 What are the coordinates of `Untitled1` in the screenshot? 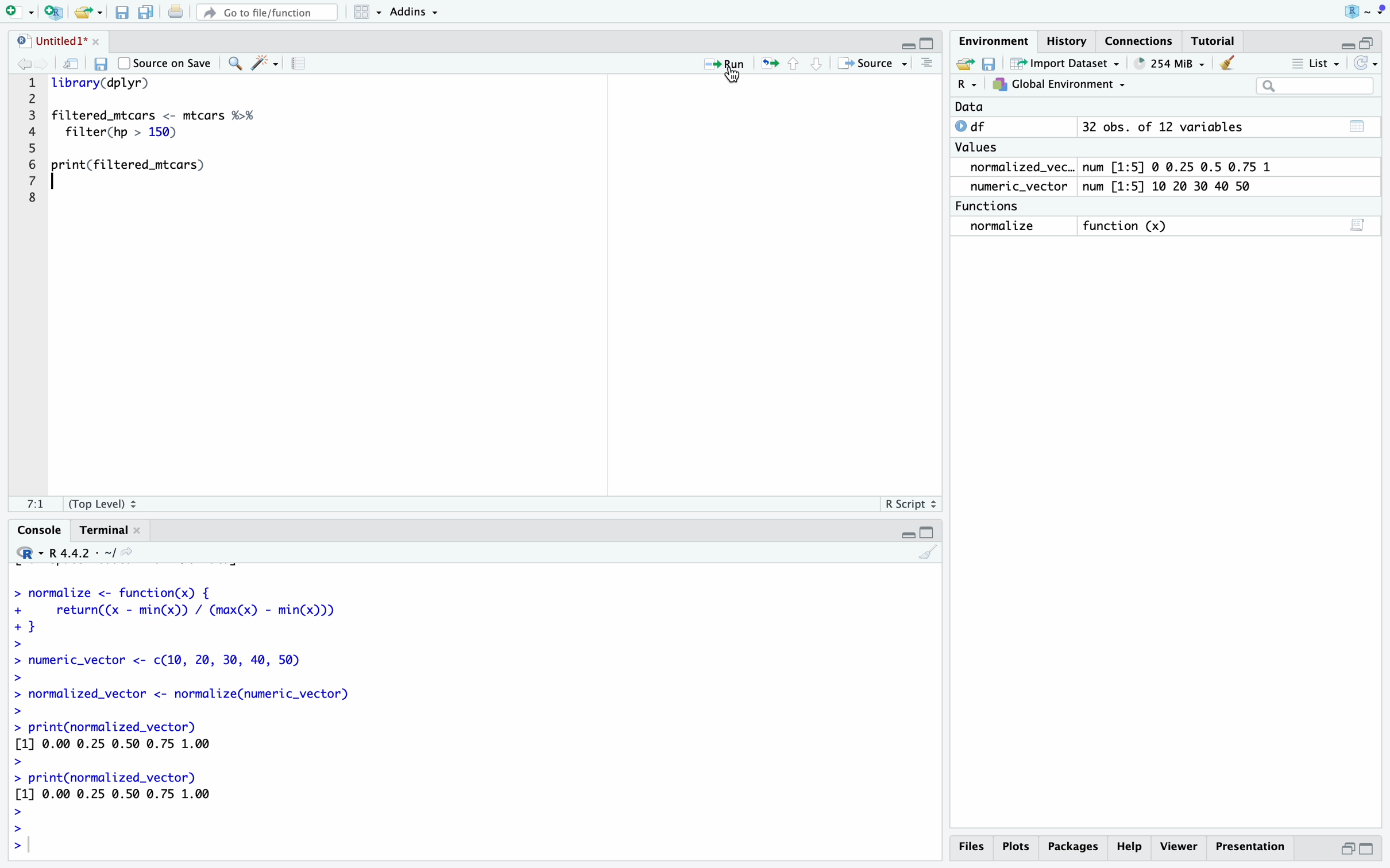 It's located at (49, 42).